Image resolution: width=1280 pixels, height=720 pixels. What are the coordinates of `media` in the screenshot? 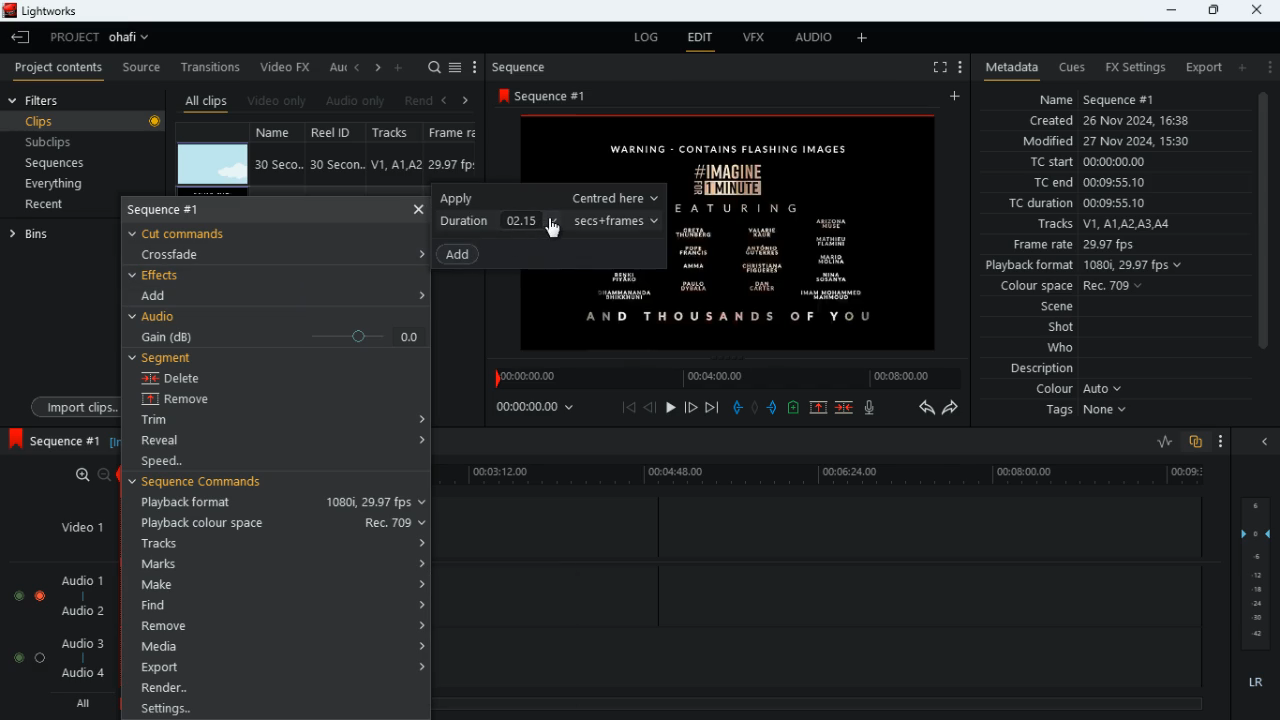 It's located at (282, 645).